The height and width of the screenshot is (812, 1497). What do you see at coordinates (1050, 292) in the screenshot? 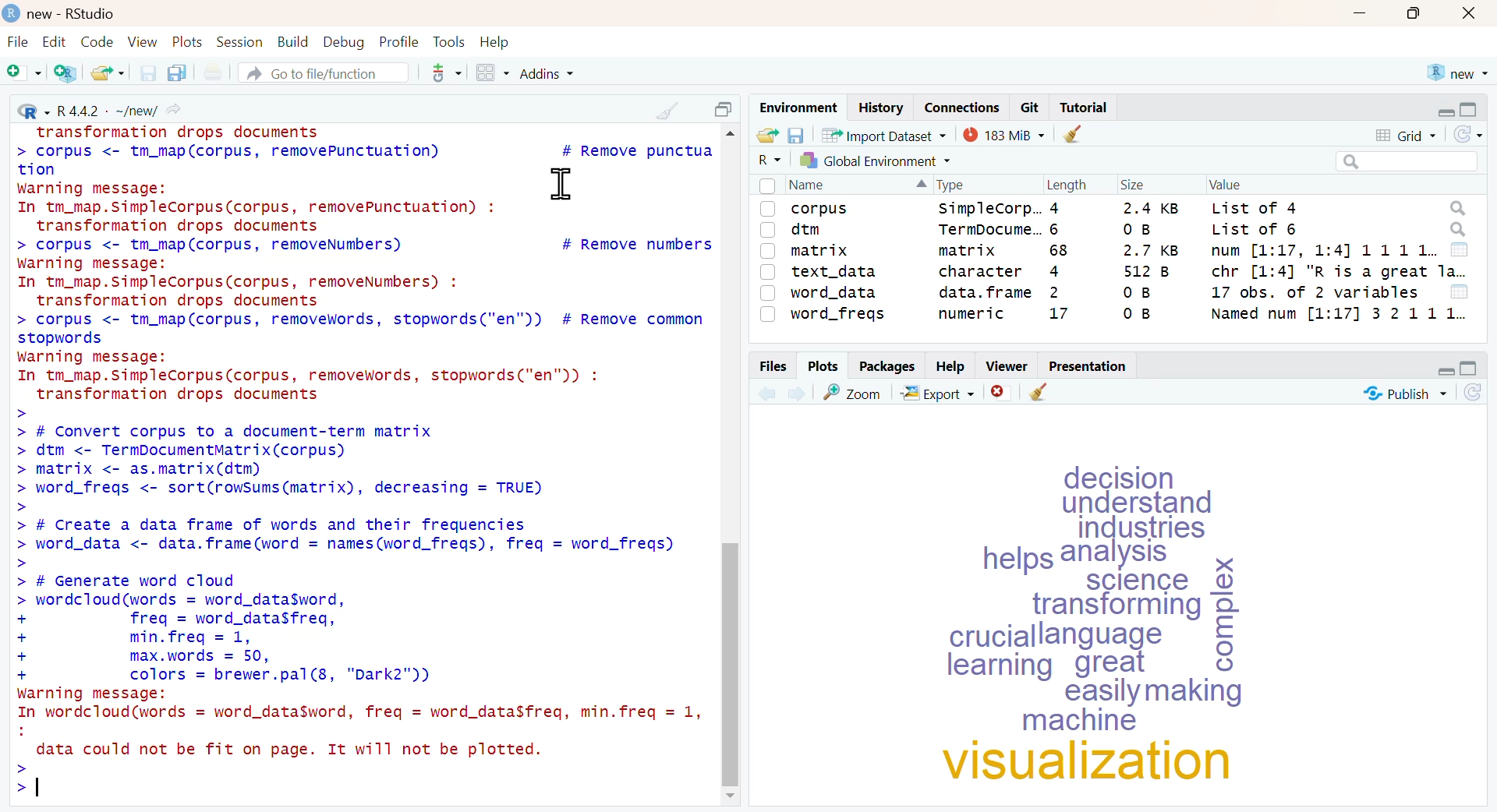
I see `2` at bounding box center [1050, 292].